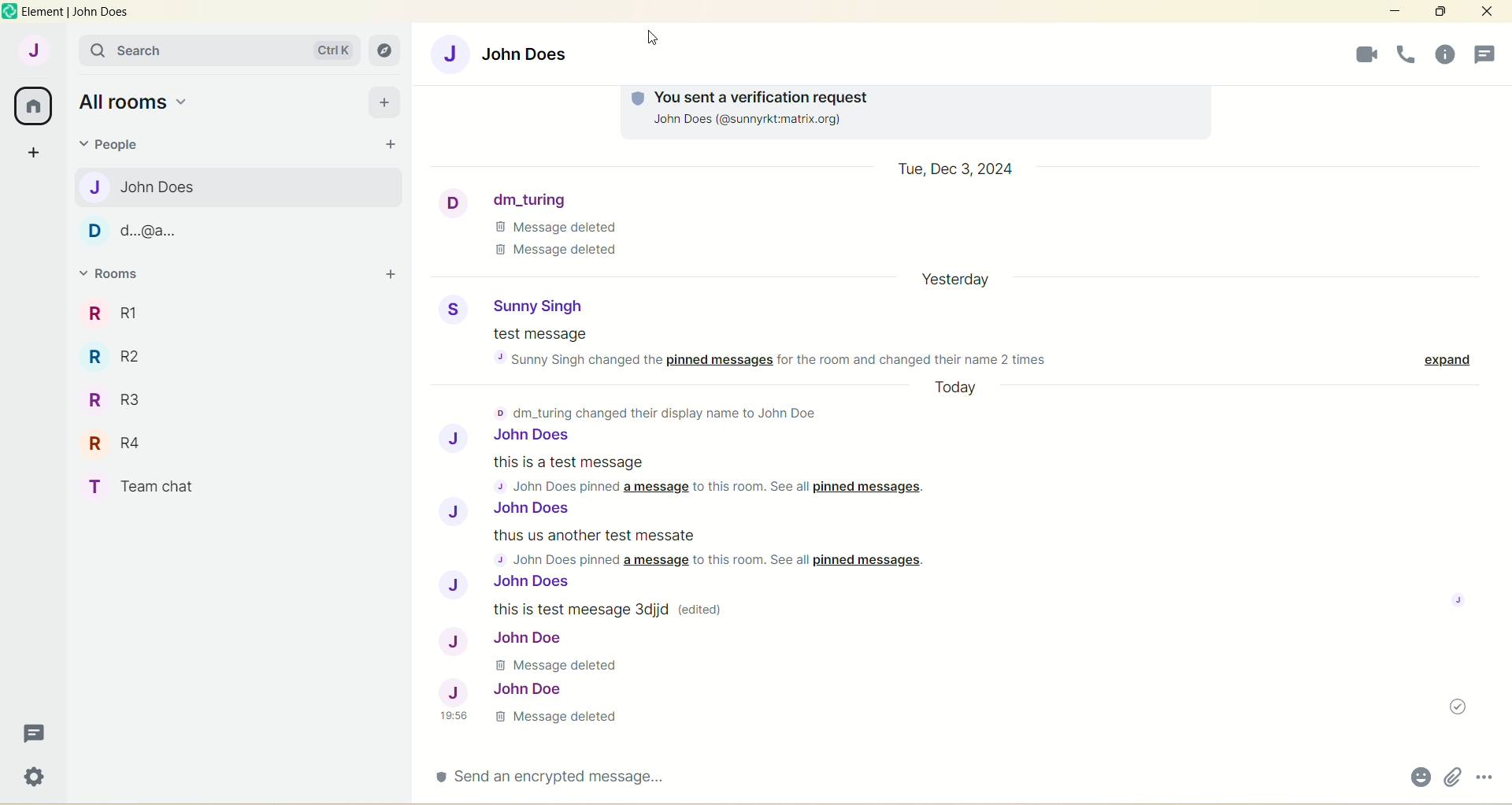 The image size is (1512, 805). I want to click on create a space, so click(35, 154).